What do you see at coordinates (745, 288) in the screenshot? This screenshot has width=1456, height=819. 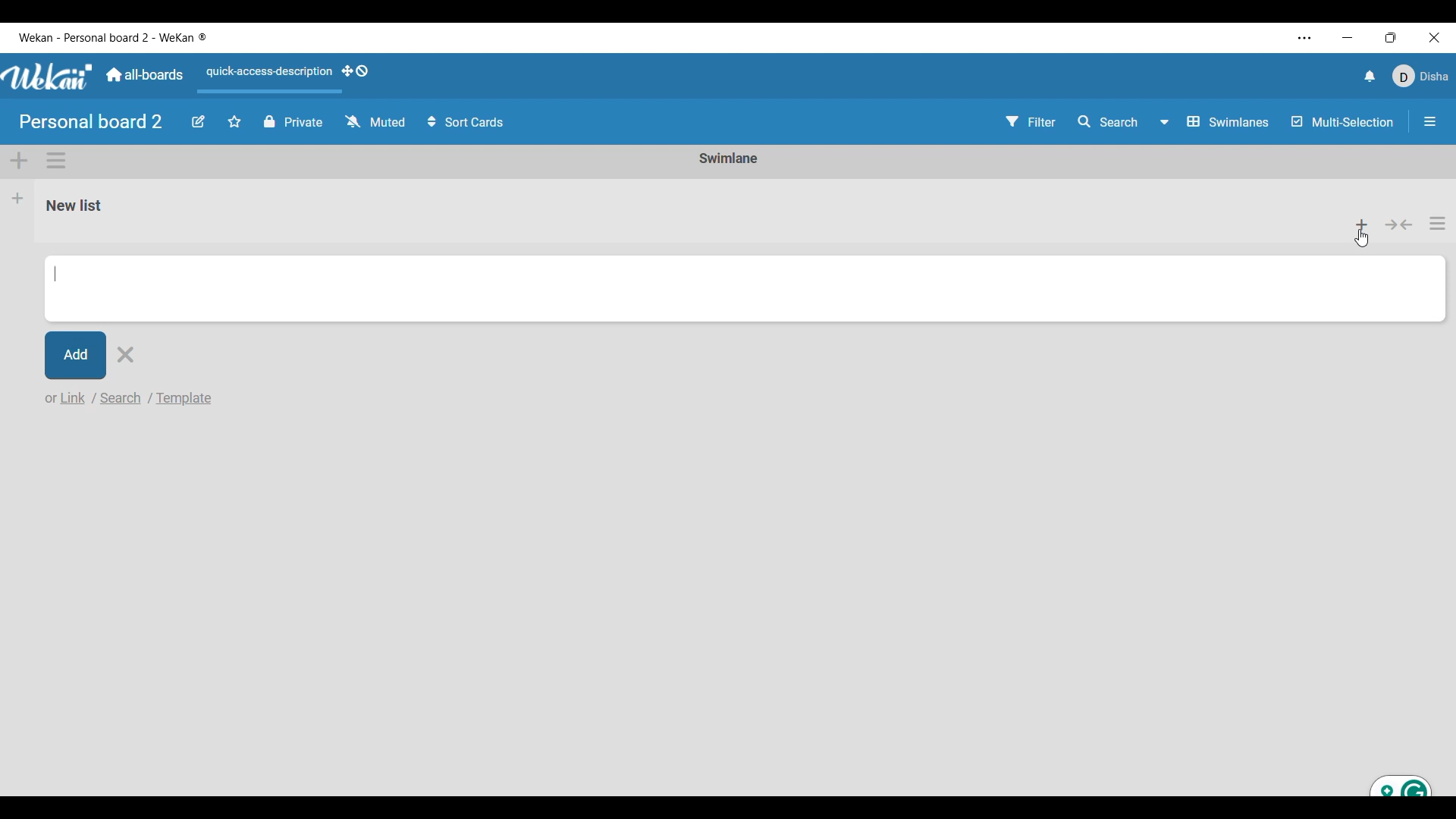 I see `Text box to enter new card name` at bounding box center [745, 288].